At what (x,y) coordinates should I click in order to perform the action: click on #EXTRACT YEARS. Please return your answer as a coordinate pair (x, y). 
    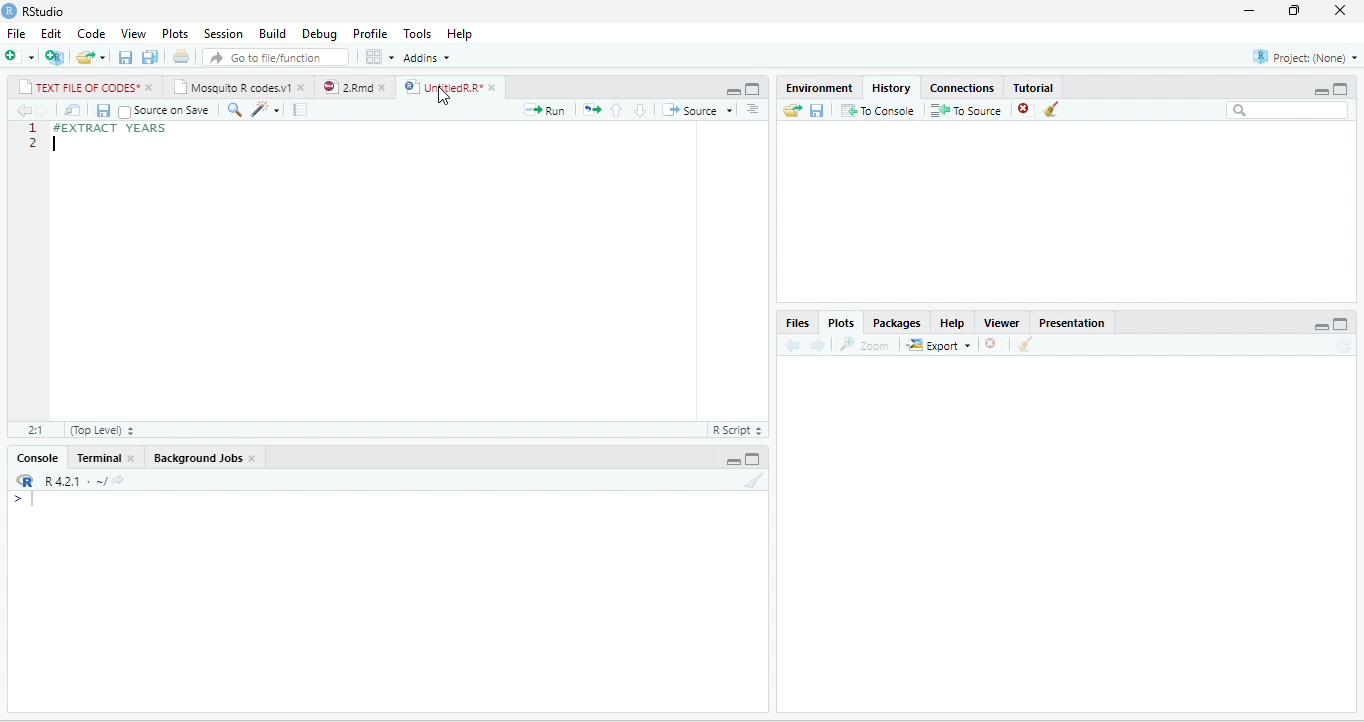
    Looking at the image, I should click on (113, 128).